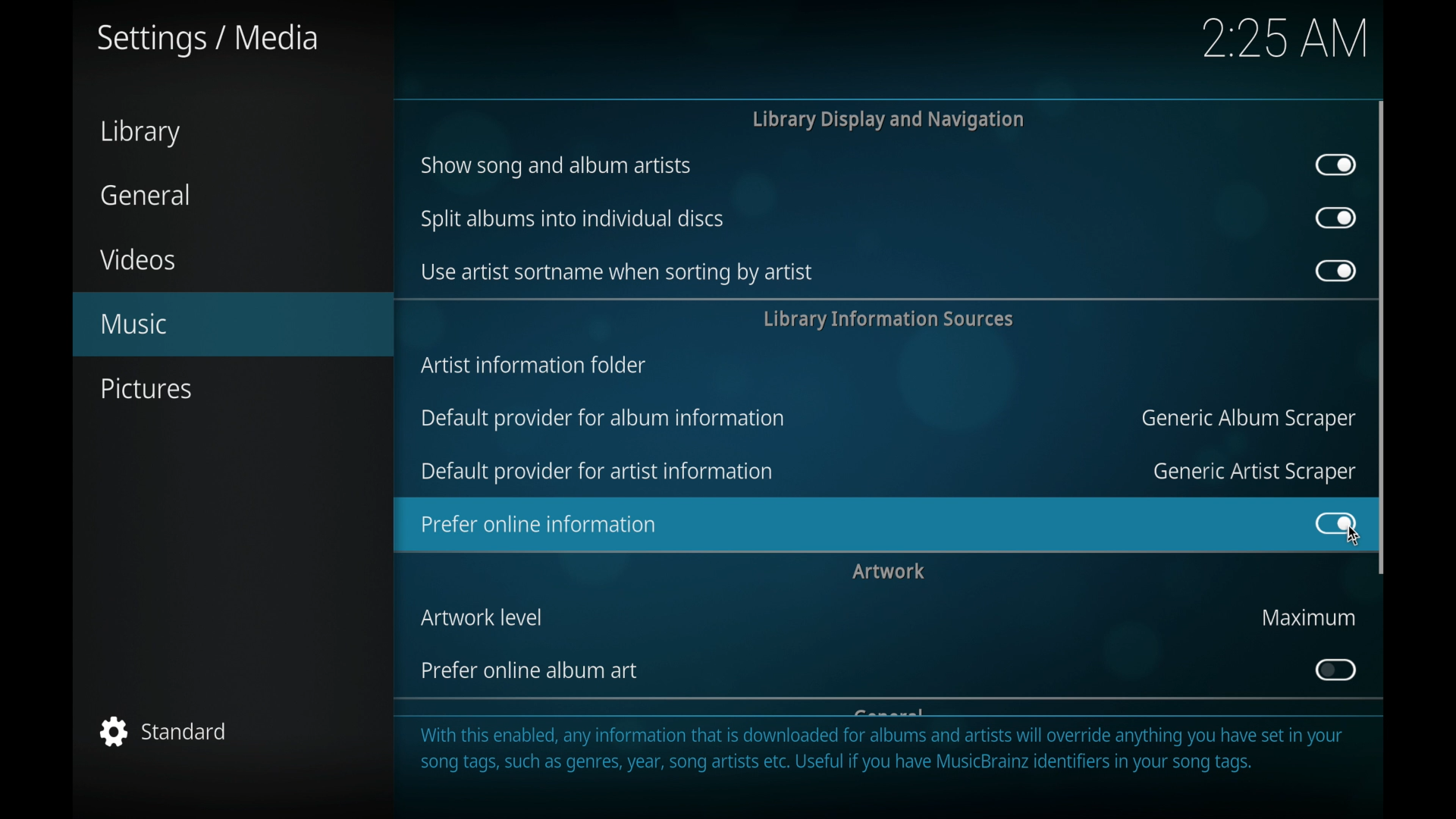 The image size is (1456, 819). I want to click on maximum, so click(1307, 617).